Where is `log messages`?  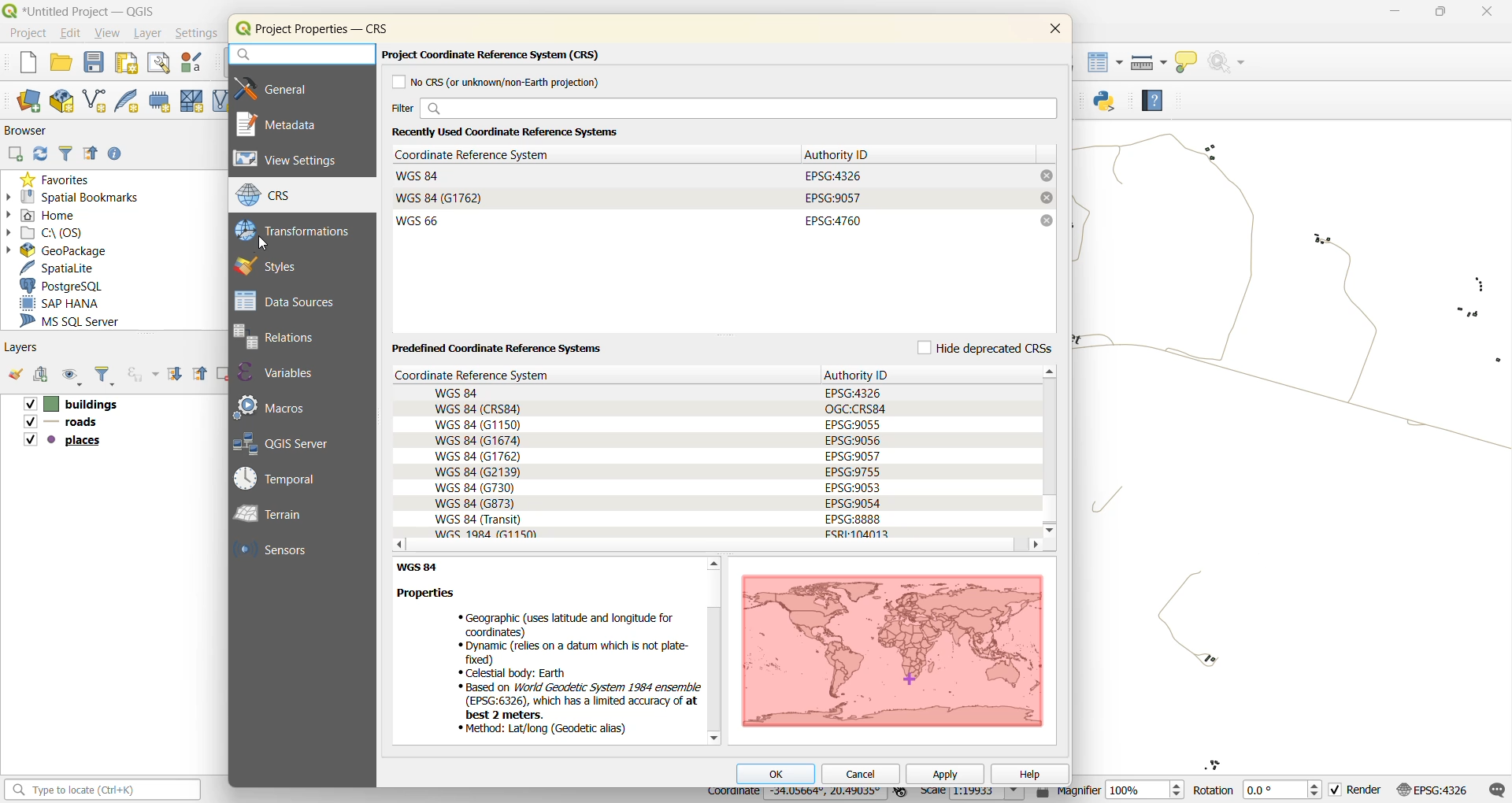 log messages is located at coordinates (1495, 789).